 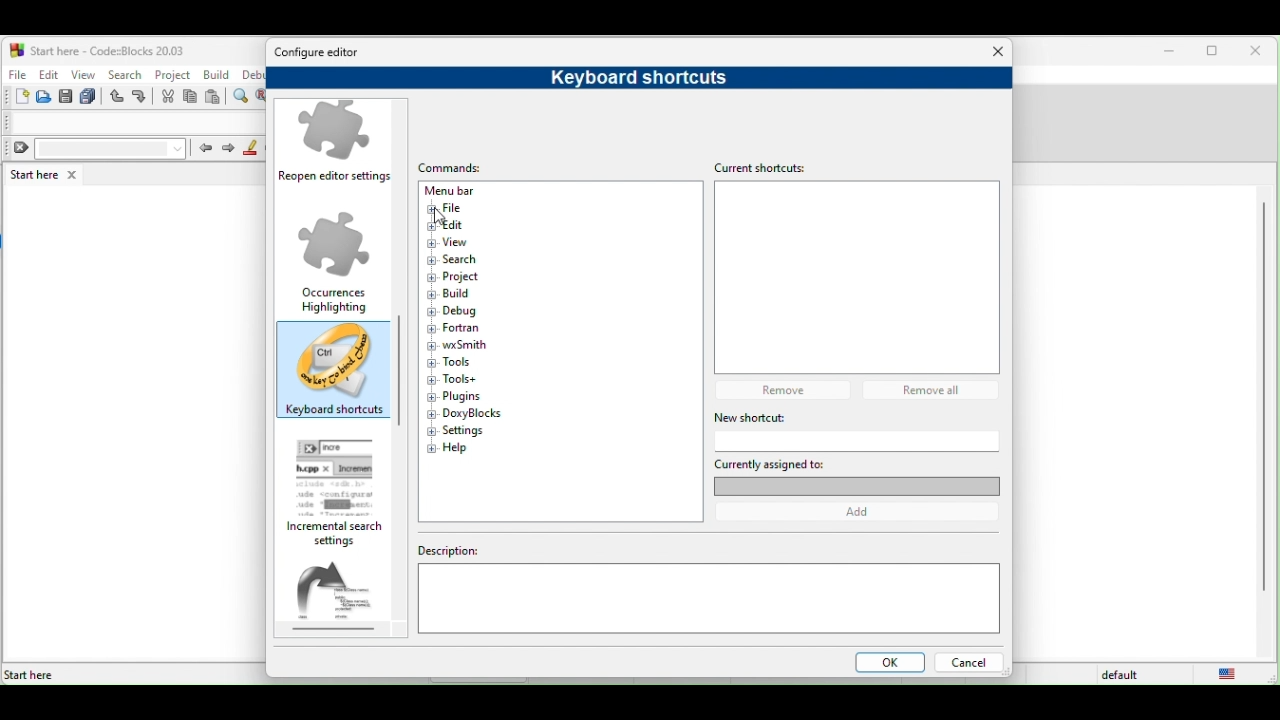 I want to click on save, so click(x=66, y=97).